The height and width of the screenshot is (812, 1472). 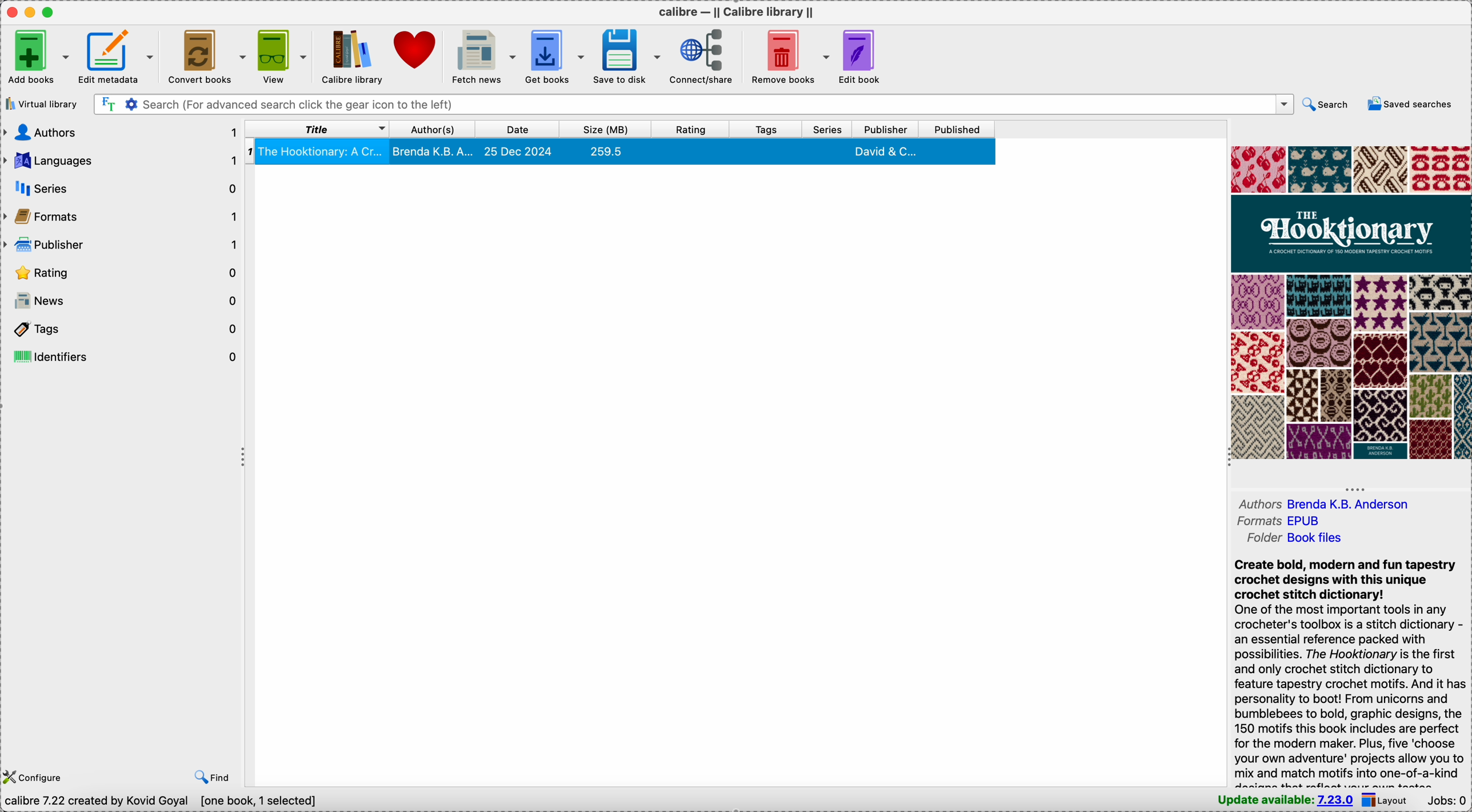 I want to click on edit book, so click(x=861, y=57).